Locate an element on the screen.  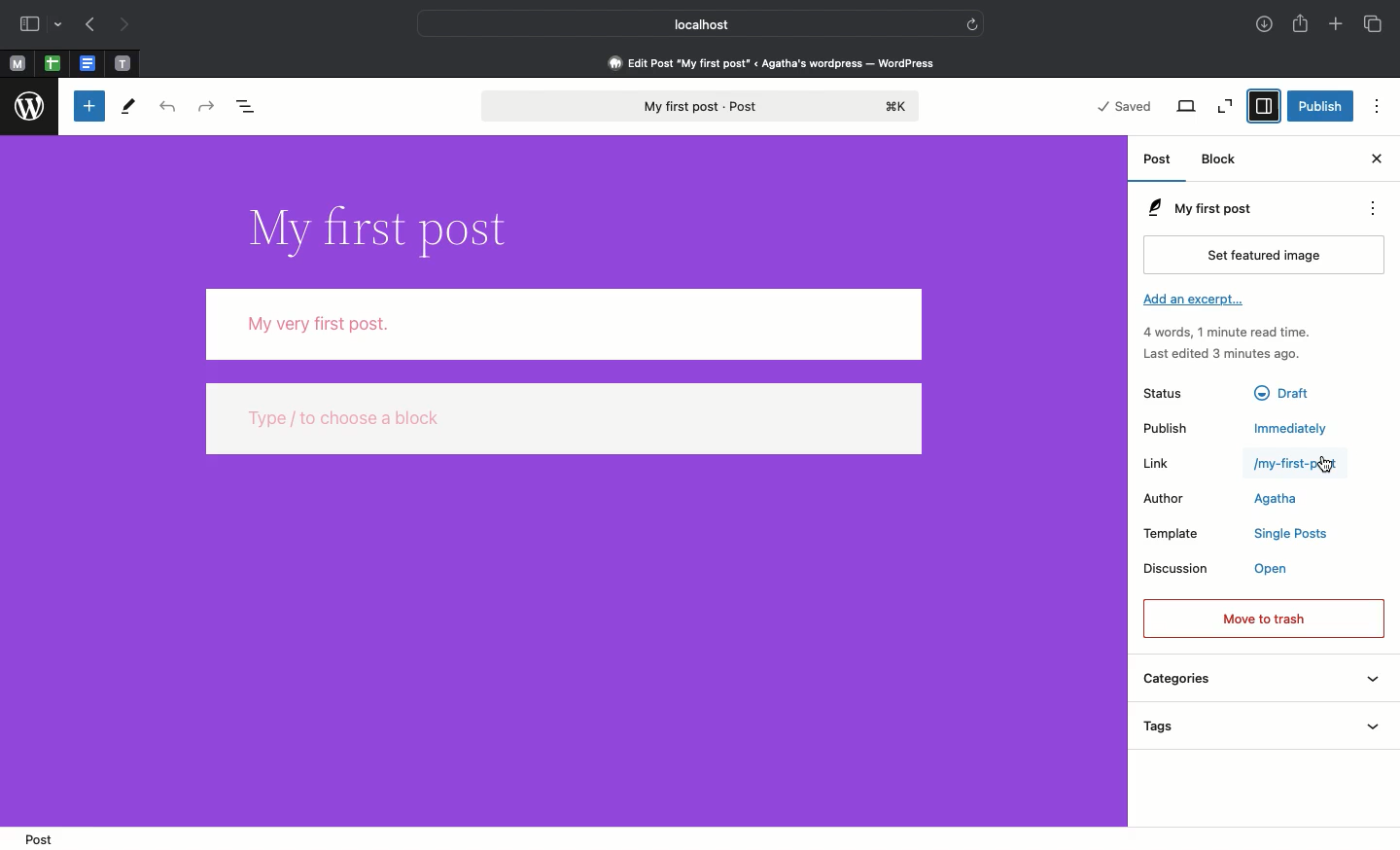
Toggle blocker is located at coordinates (89, 105).